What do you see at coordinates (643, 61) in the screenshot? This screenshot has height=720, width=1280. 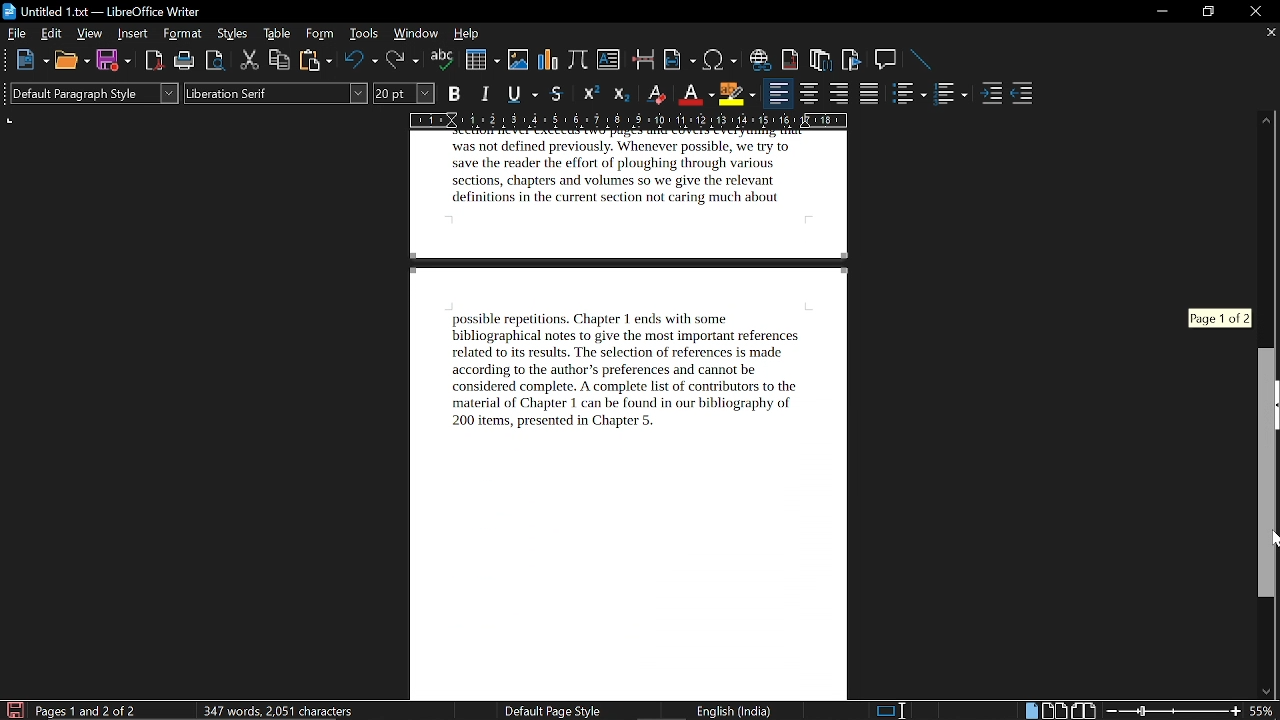 I see `insert page break` at bounding box center [643, 61].